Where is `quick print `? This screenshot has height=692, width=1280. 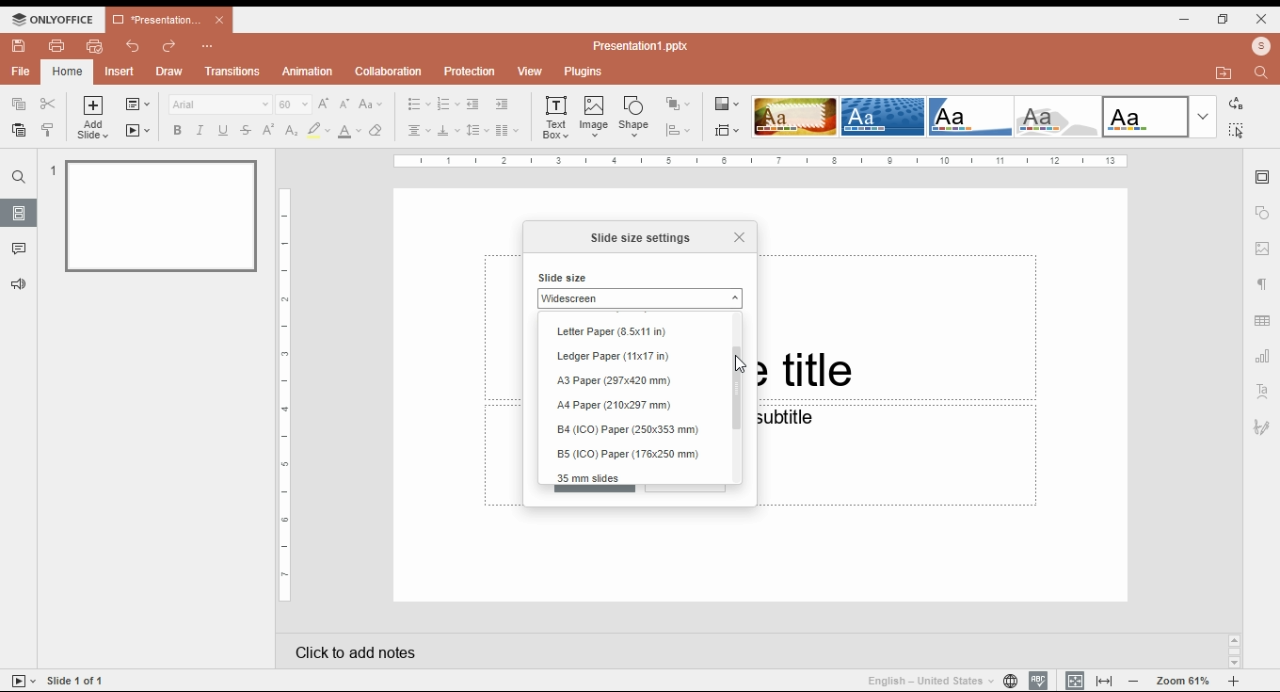
quick print  is located at coordinates (95, 46).